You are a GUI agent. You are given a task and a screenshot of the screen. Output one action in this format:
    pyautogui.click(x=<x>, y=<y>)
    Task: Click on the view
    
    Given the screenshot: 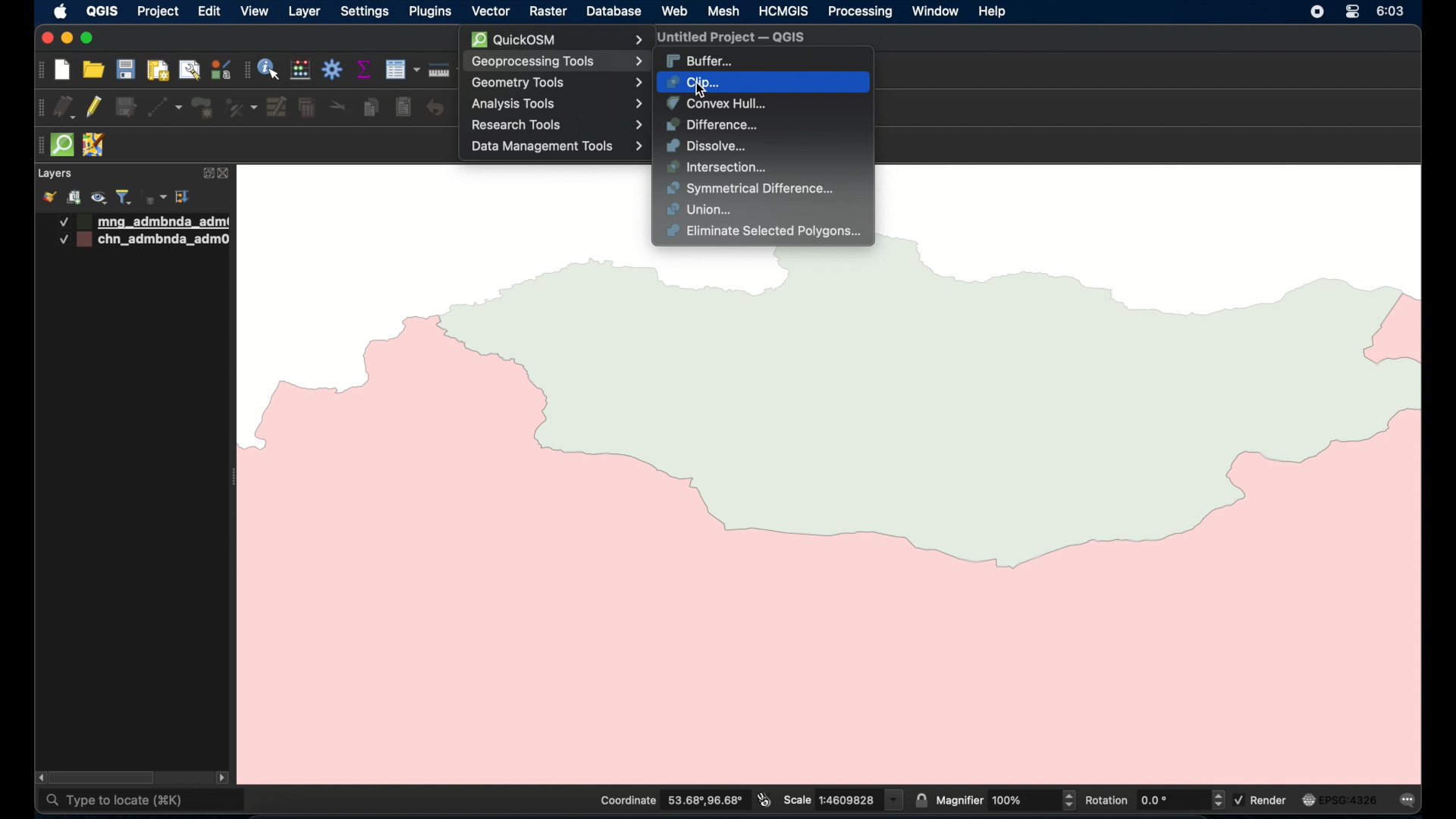 What is the action you would take?
    pyautogui.click(x=255, y=11)
    